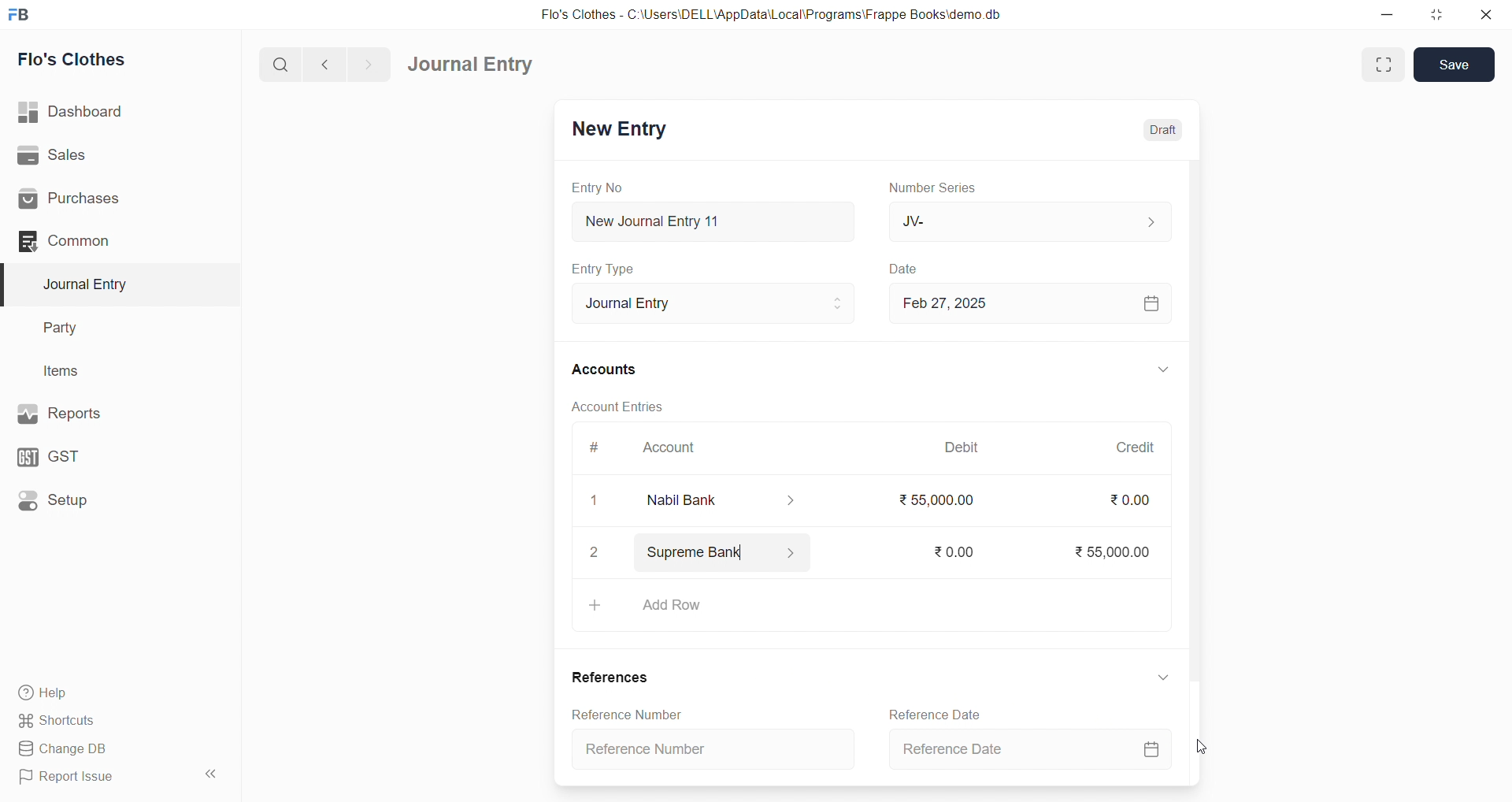  Describe the element at coordinates (90, 284) in the screenshot. I see `Journal Entry` at that location.